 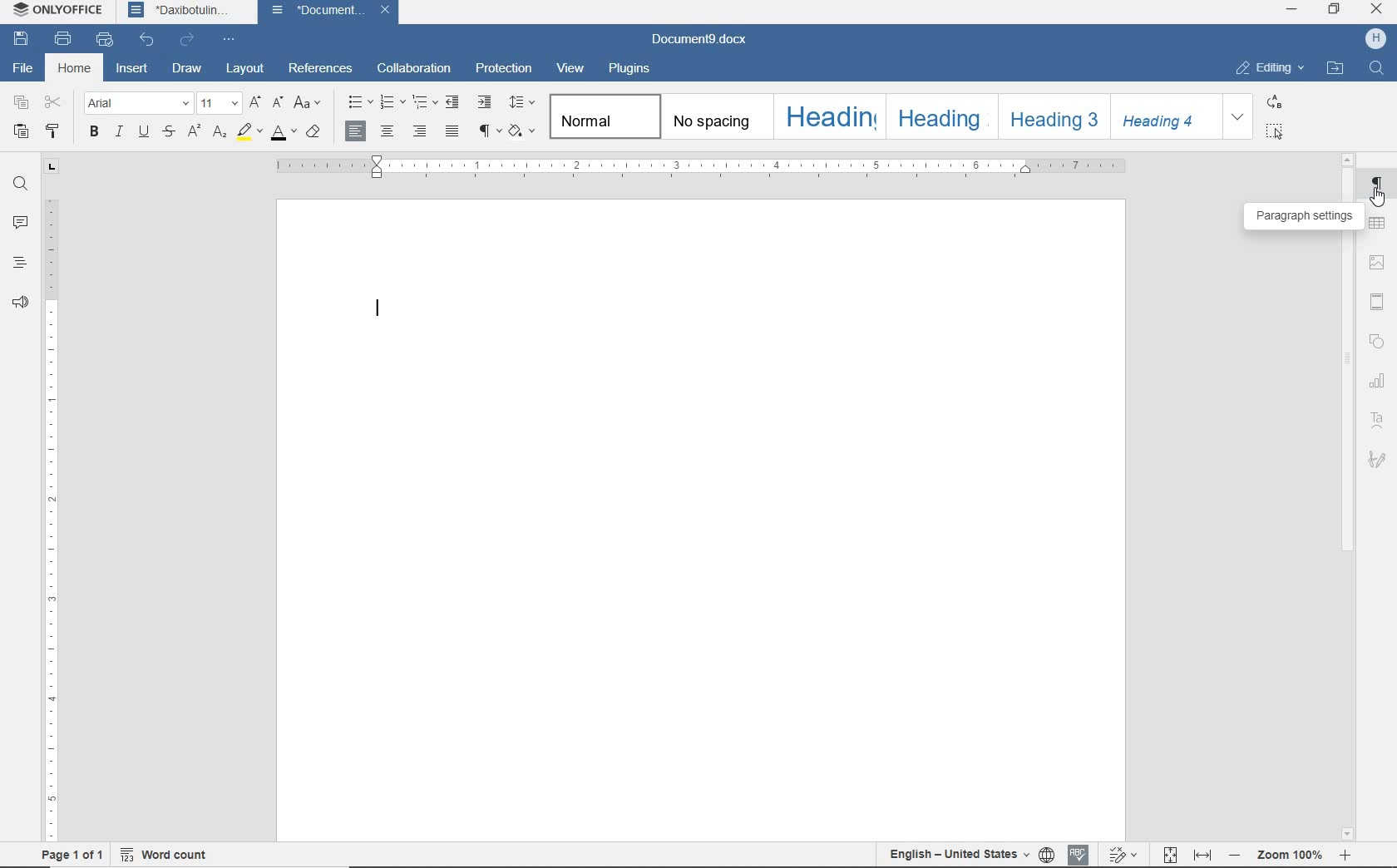 What do you see at coordinates (358, 105) in the screenshot?
I see `bullets` at bounding box center [358, 105].